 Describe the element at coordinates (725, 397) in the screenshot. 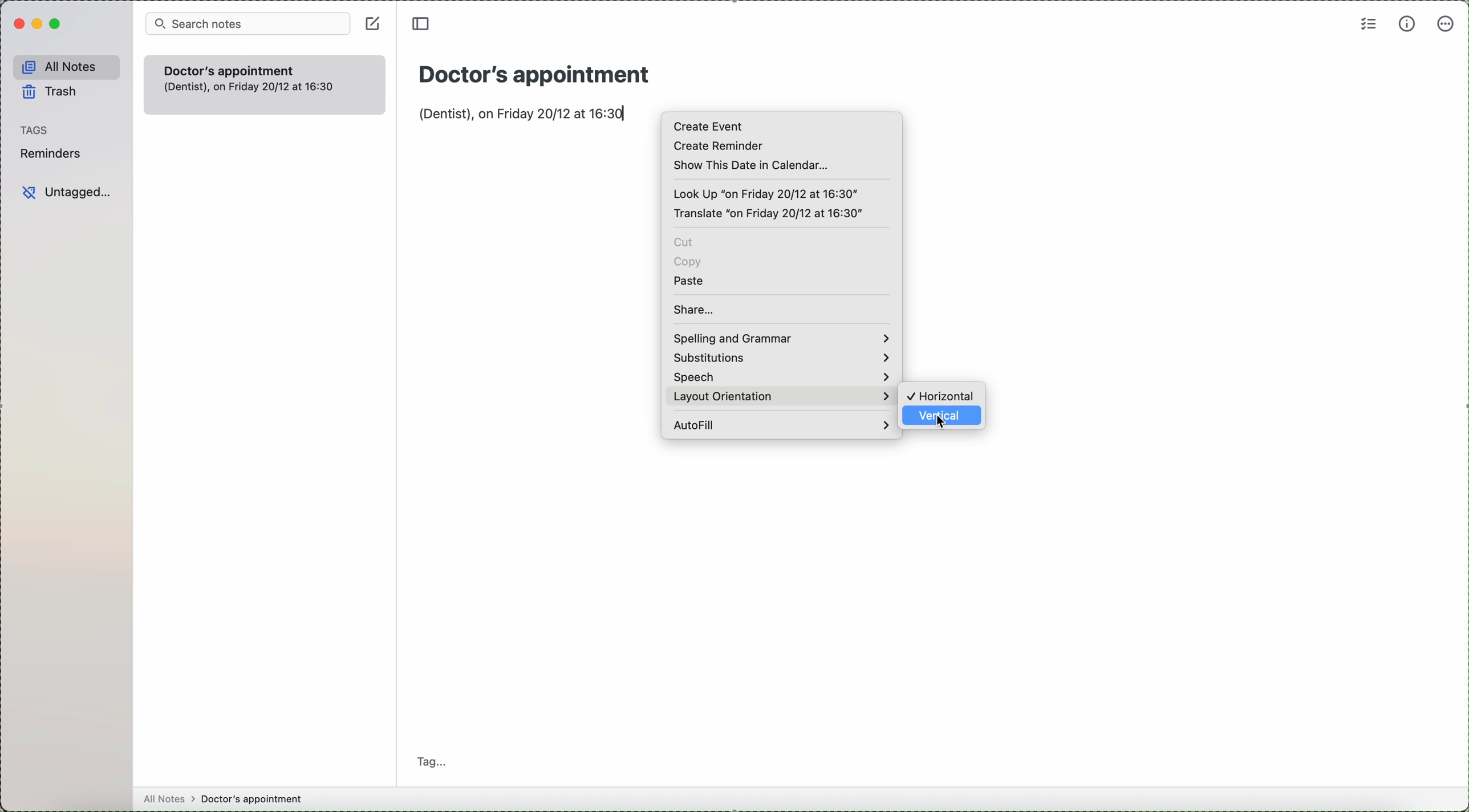

I see `layout orientation` at that location.